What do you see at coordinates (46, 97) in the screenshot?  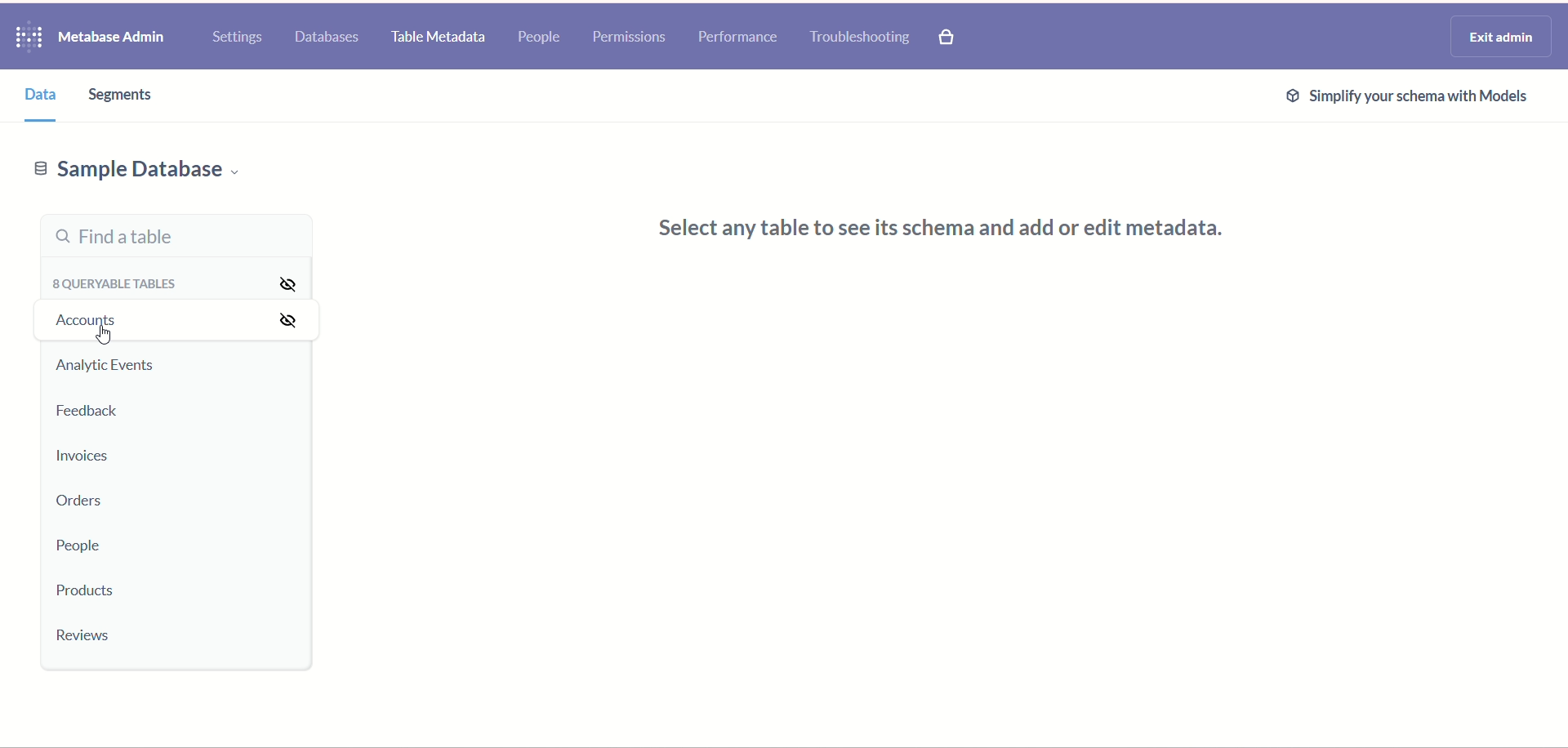 I see `data` at bounding box center [46, 97].